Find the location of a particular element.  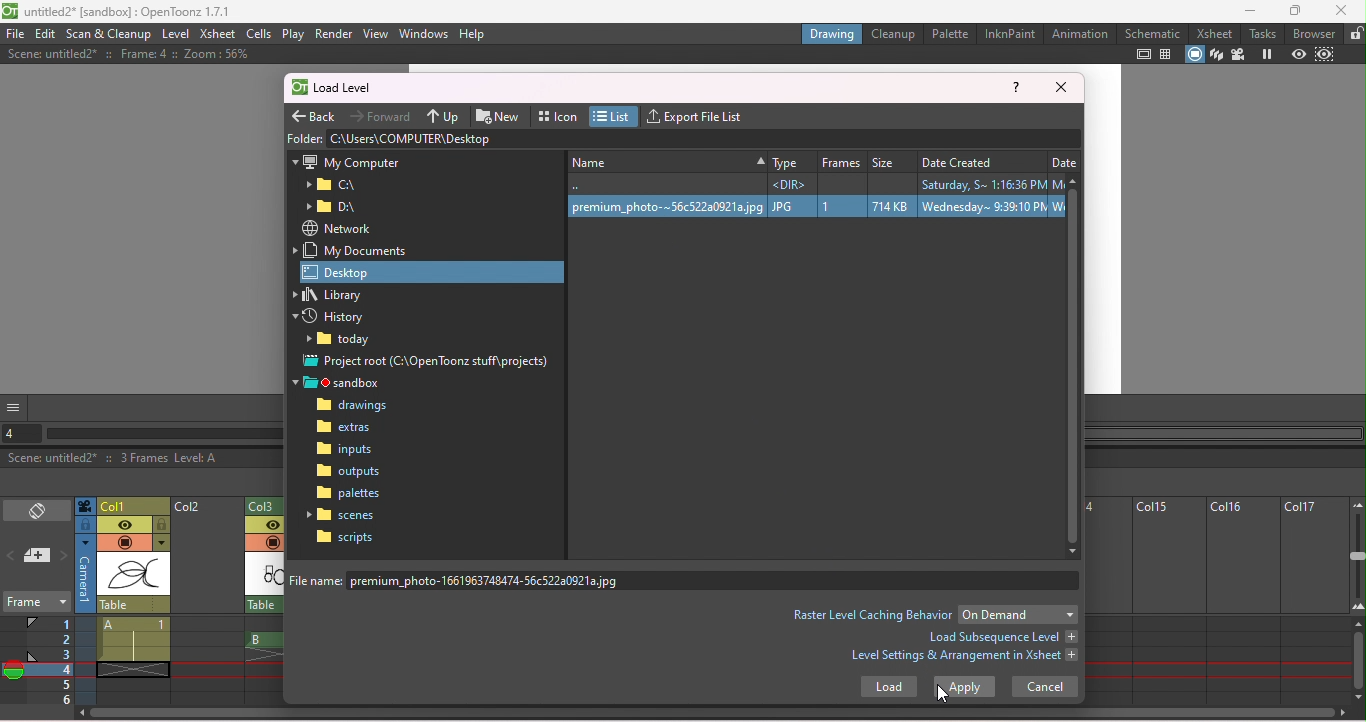

premium_photo-~56c522a0921ajpg JPG 1 714KB Wednesday~ 3:39:10 Ph W is located at coordinates (813, 207).